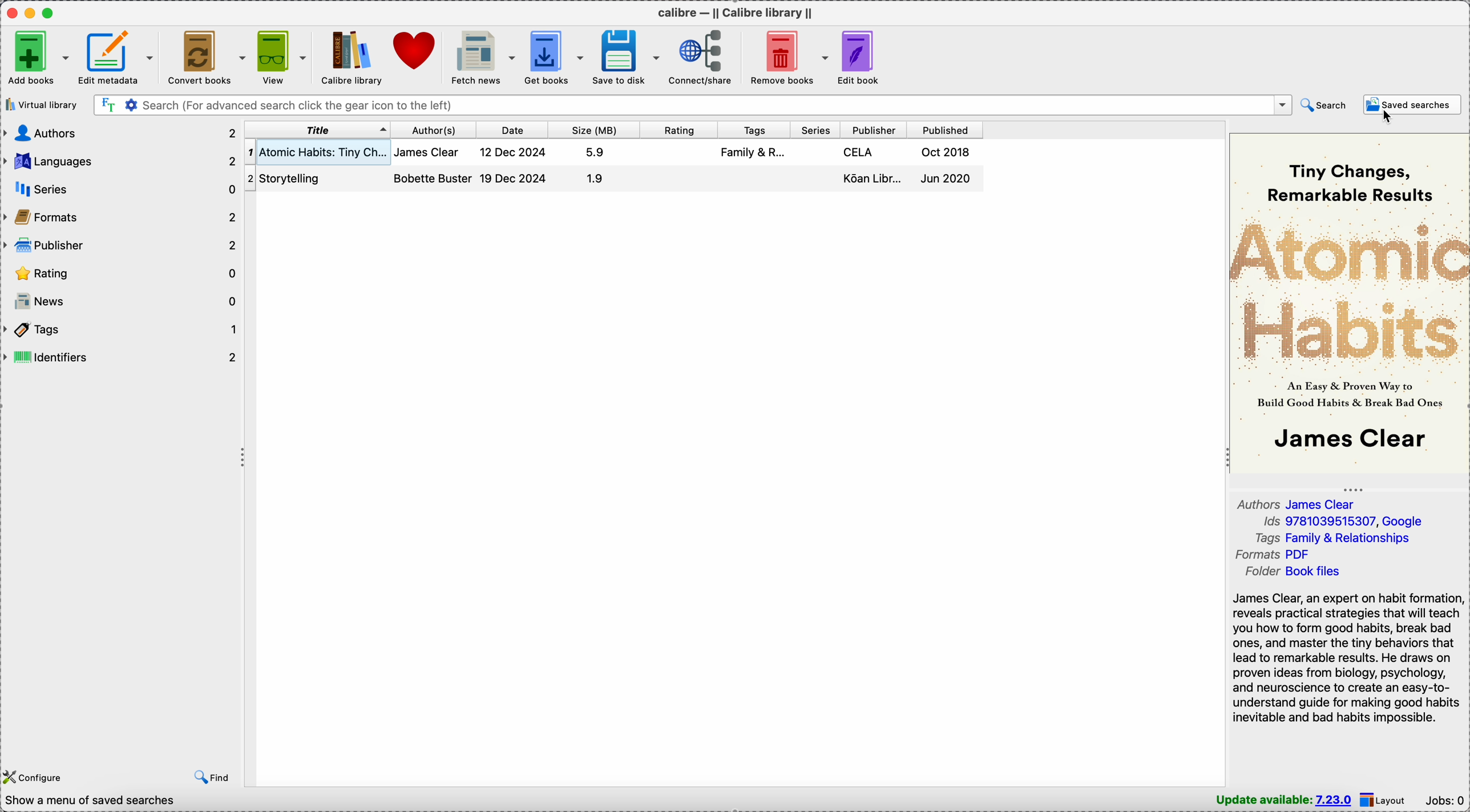  What do you see at coordinates (316, 151) in the screenshot?
I see `atomic habits` at bounding box center [316, 151].